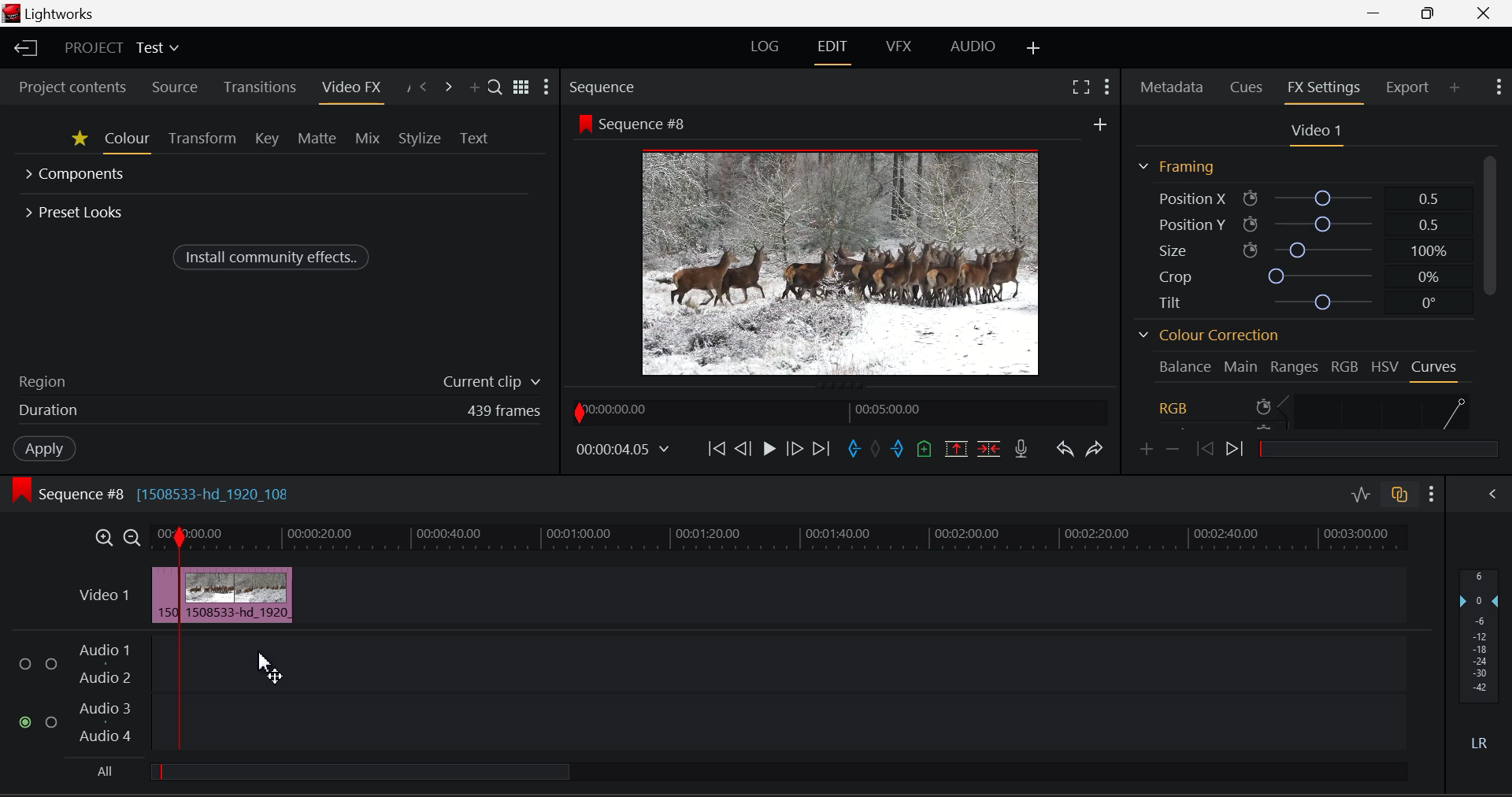  I want to click on Project contents, so click(72, 87).